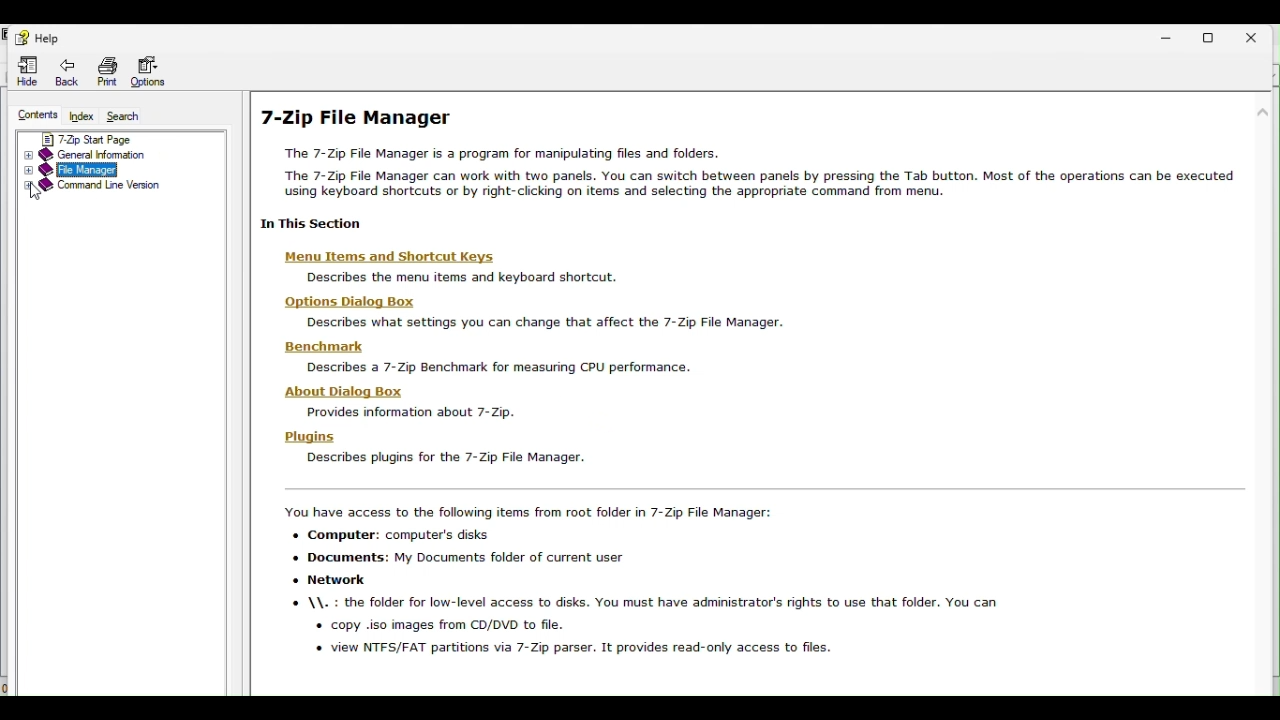  I want to click on Descnbes the menu items and kevboard shortcut., so click(484, 277).